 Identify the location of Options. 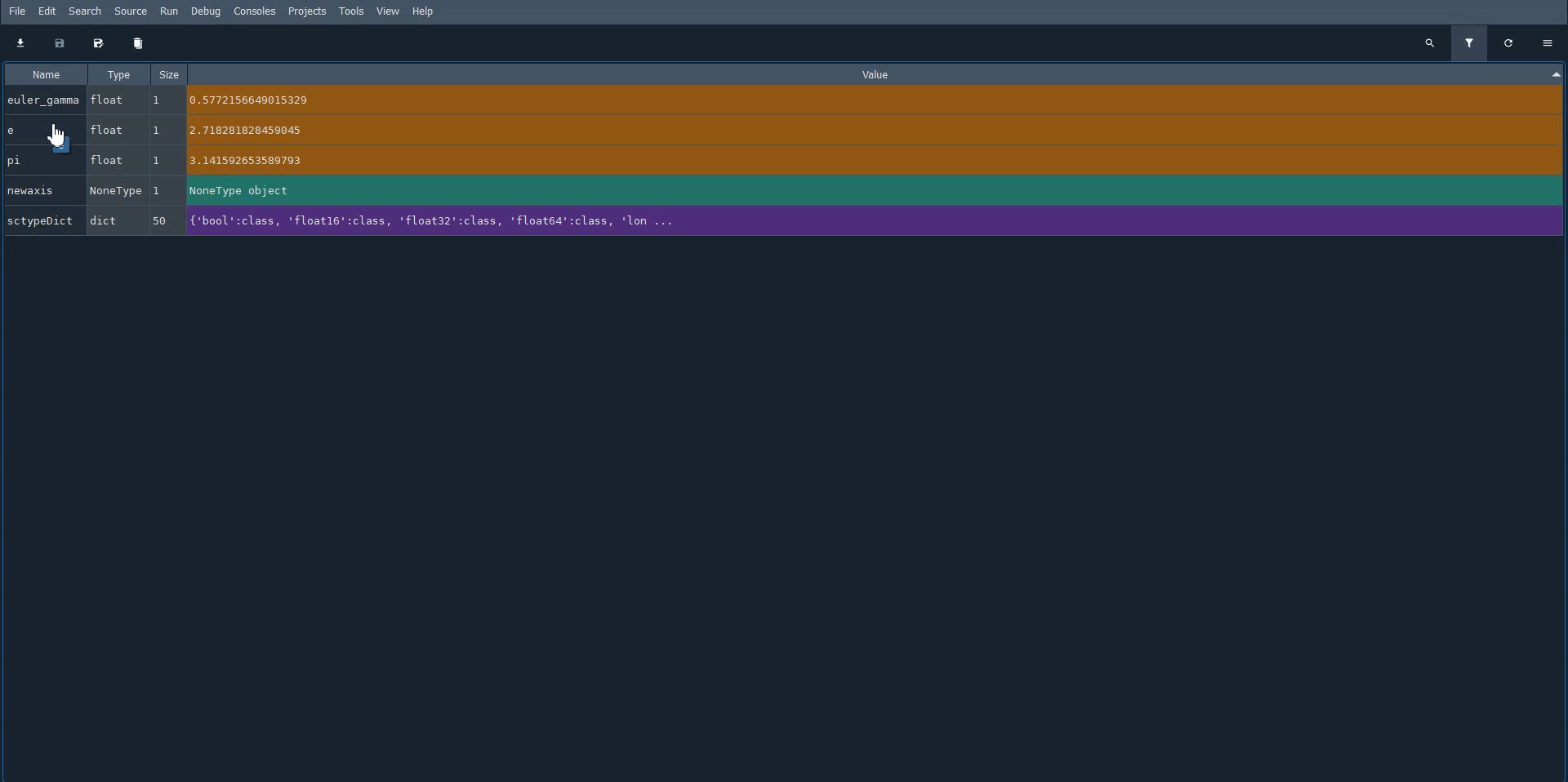
(1548, 42).